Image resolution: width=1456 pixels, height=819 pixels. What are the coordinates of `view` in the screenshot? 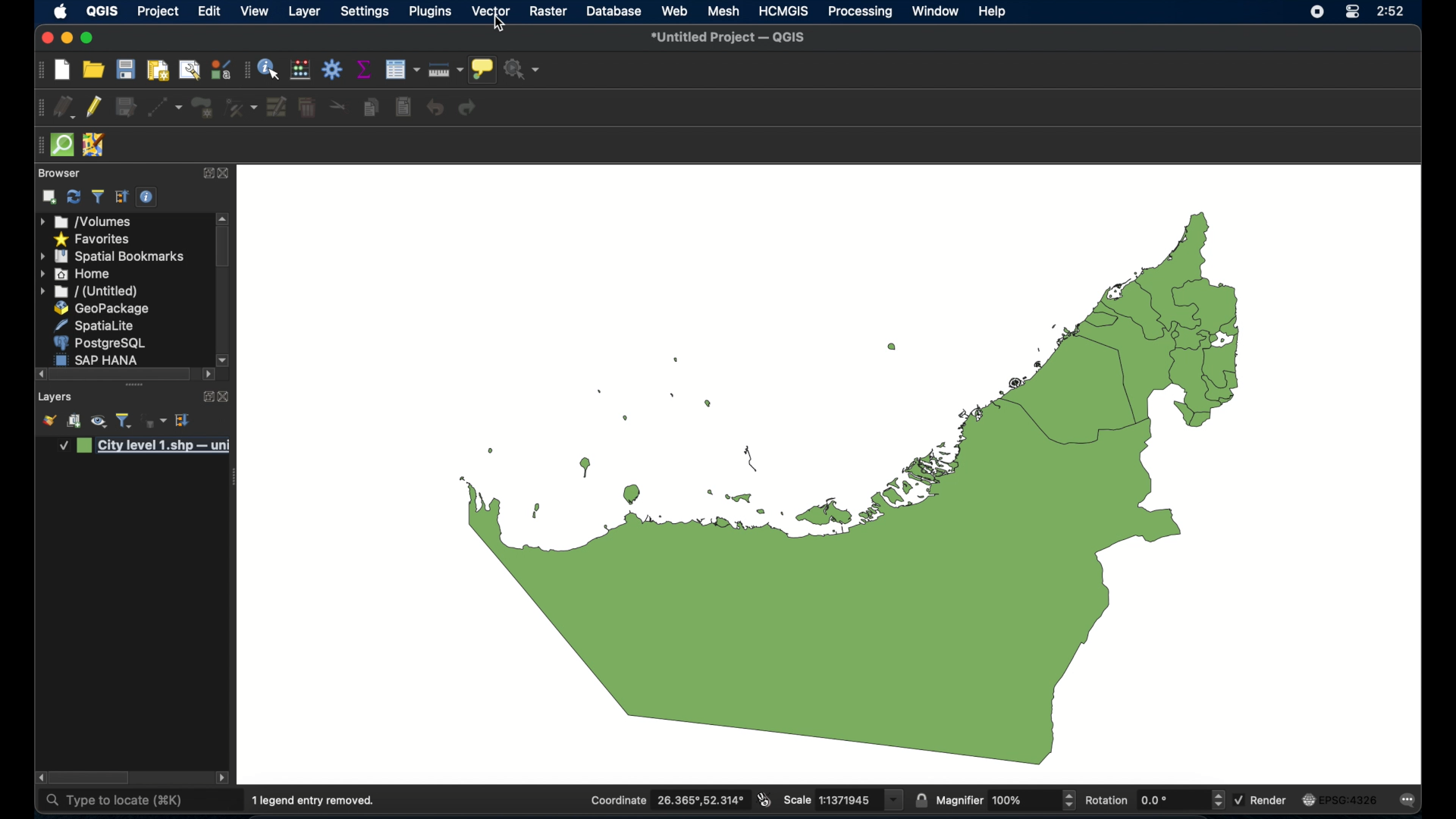 It's located at (254, 11).